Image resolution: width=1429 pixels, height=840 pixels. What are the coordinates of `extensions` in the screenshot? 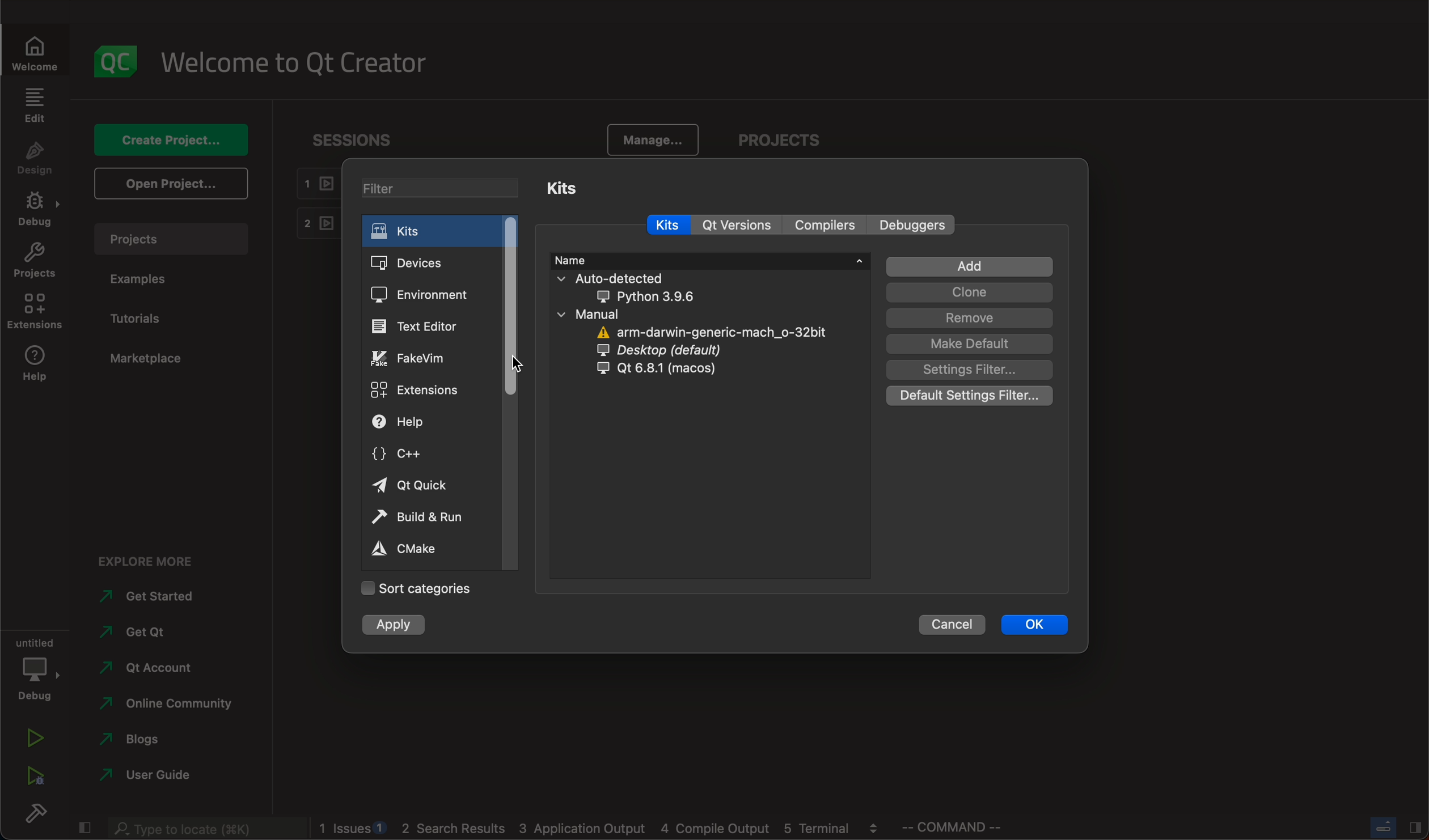 It's located at (424, 389).